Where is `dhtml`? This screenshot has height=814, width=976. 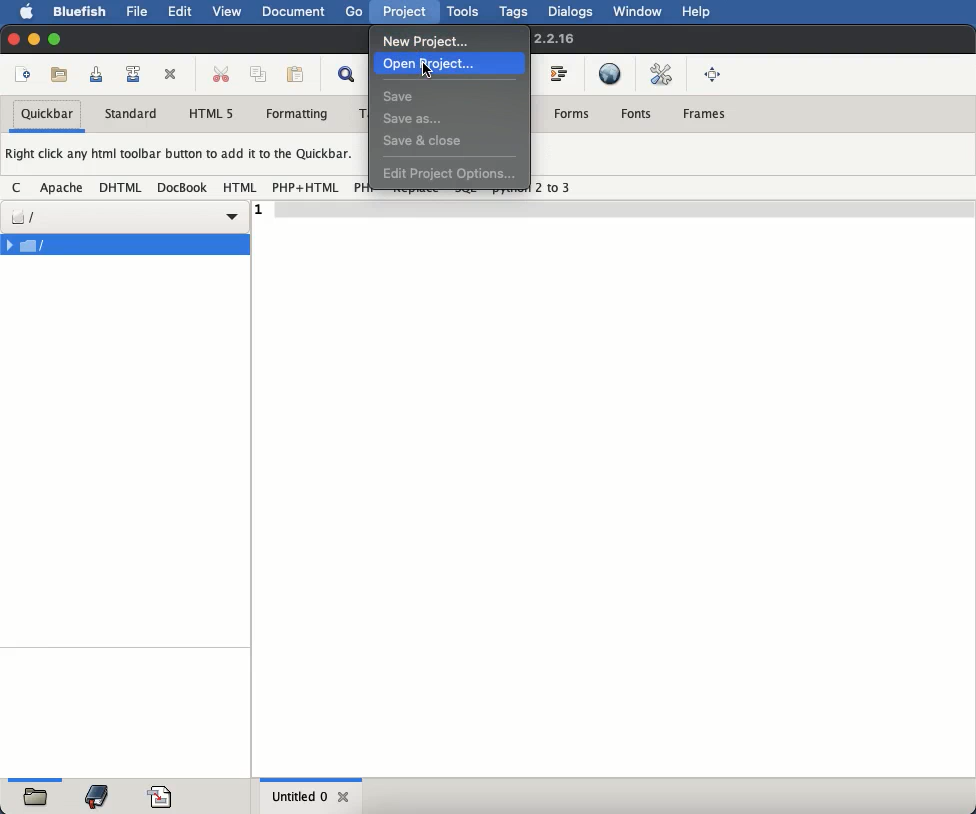 dhtml is located at coordinates (123, 188).